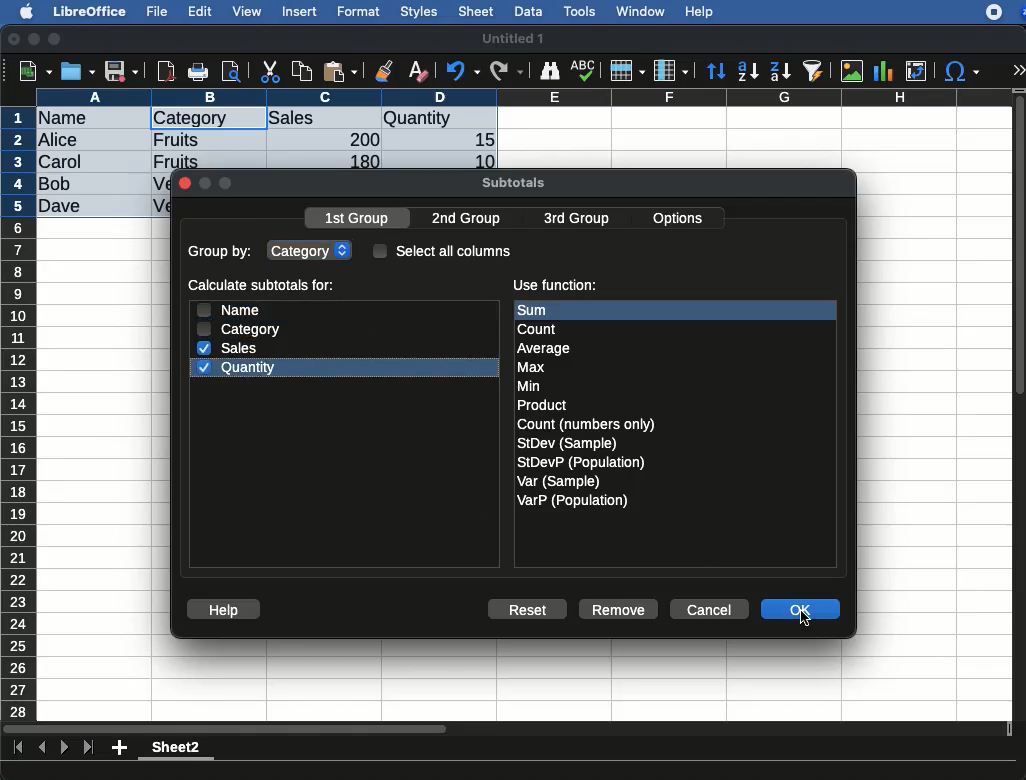 Image resolution: width=1026 pixels, height=780 pixels. Describe the element at coordinates (568, 443) in the screenshot. I see `SitDev (Sample)` at that location.